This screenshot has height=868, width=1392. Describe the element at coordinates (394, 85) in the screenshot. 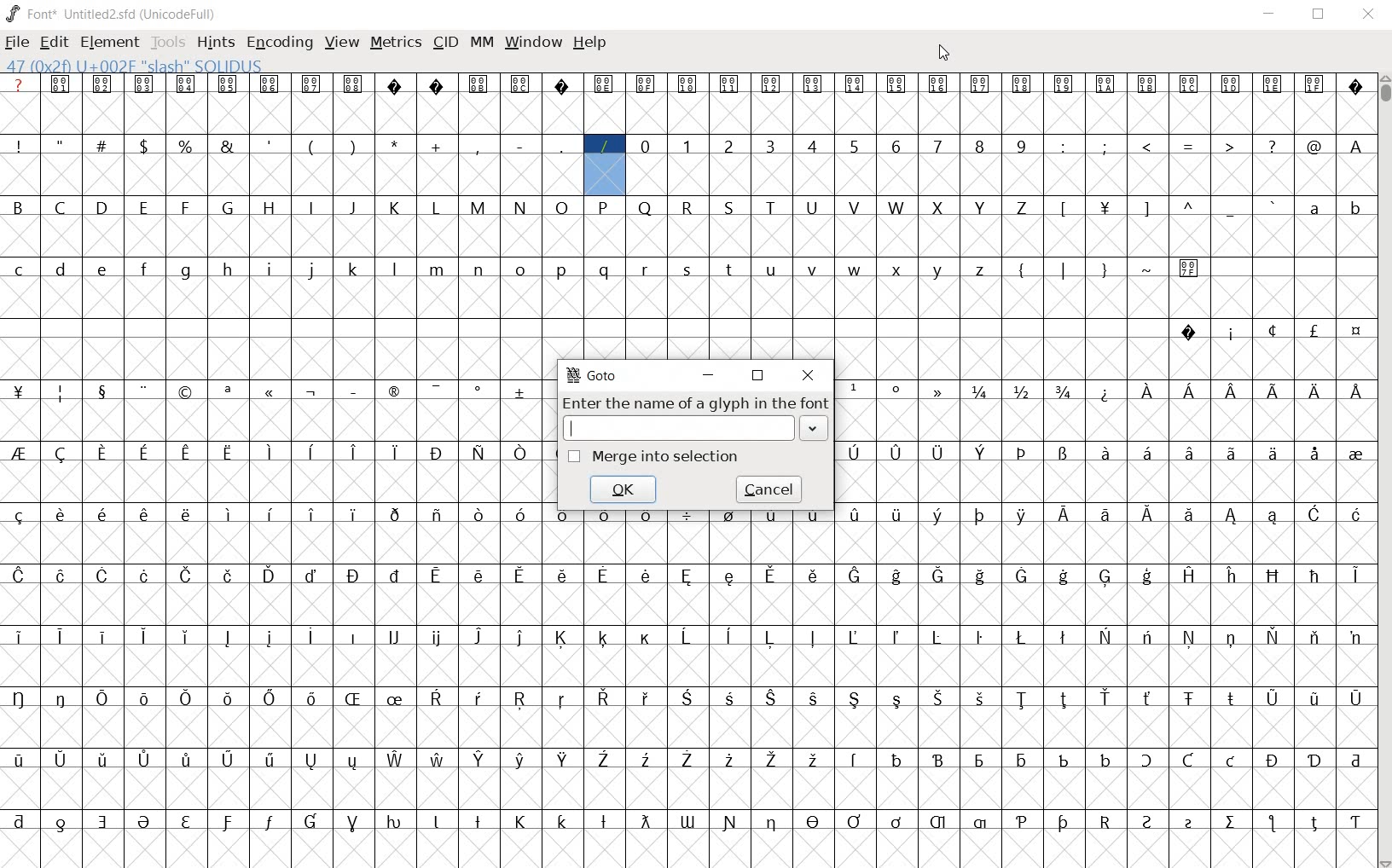

I see `glyph` at that location.